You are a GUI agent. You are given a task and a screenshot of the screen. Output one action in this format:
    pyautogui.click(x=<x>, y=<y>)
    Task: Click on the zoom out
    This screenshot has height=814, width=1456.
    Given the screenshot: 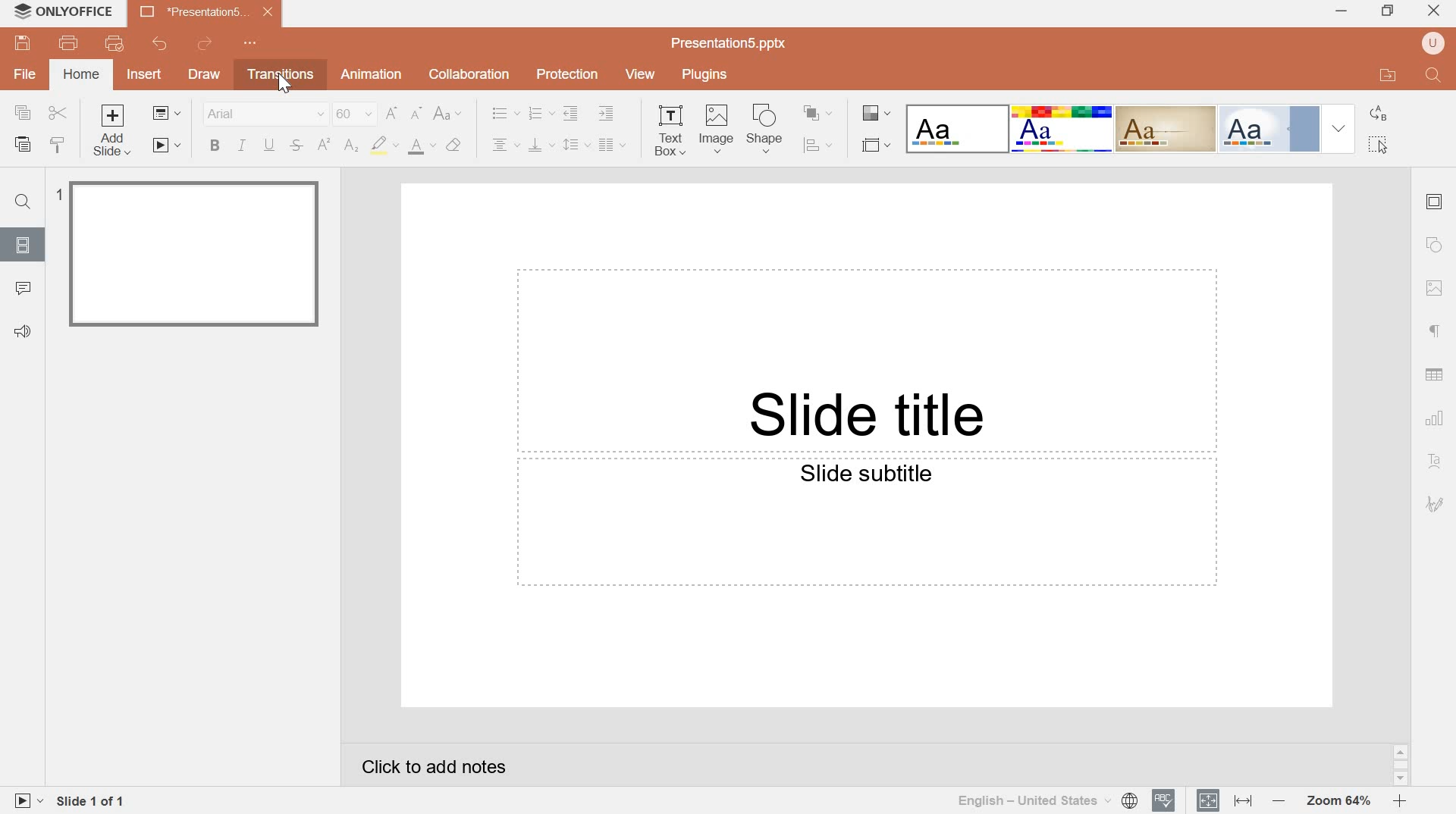 What is the action you would take?
    pyautogui.click(x=1276, y=800)
    